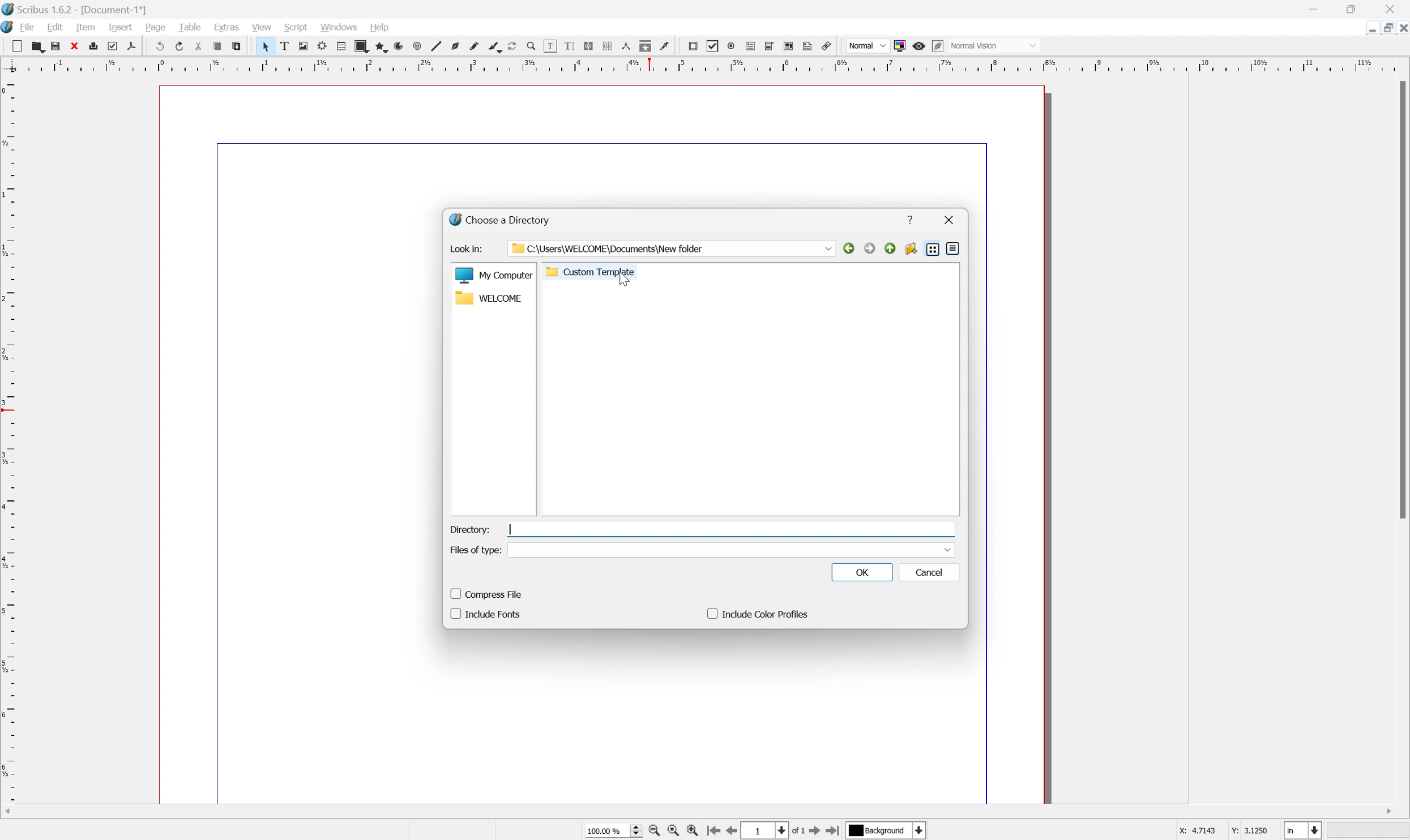 This screenshot has width=1410, height=840. What do you see at coordinates (36, 44) in the screenshot?
I see `copy` at bounding box center [36, 44].